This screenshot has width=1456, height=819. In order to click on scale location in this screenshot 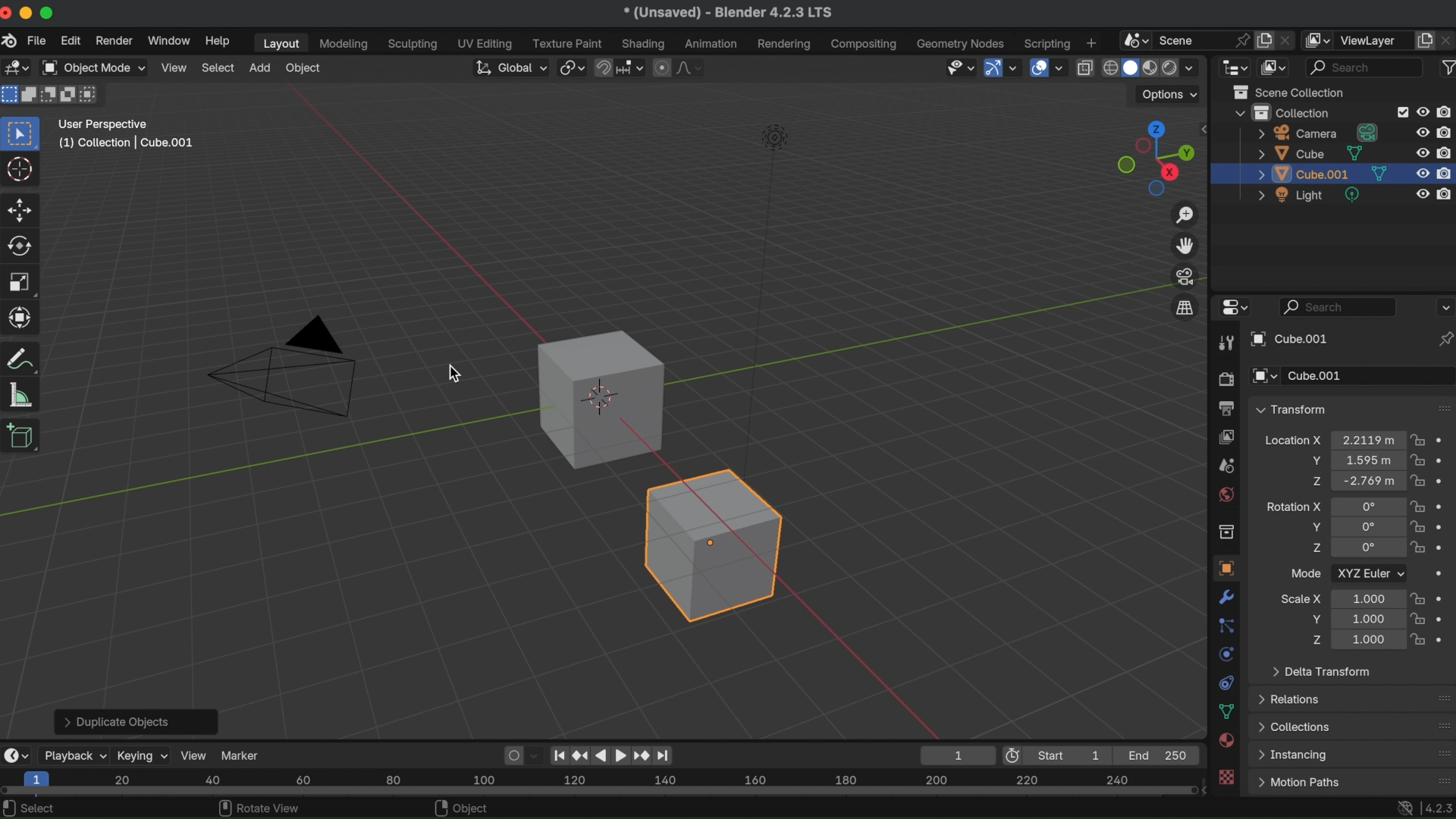, I will do `click(1365, 618)`.